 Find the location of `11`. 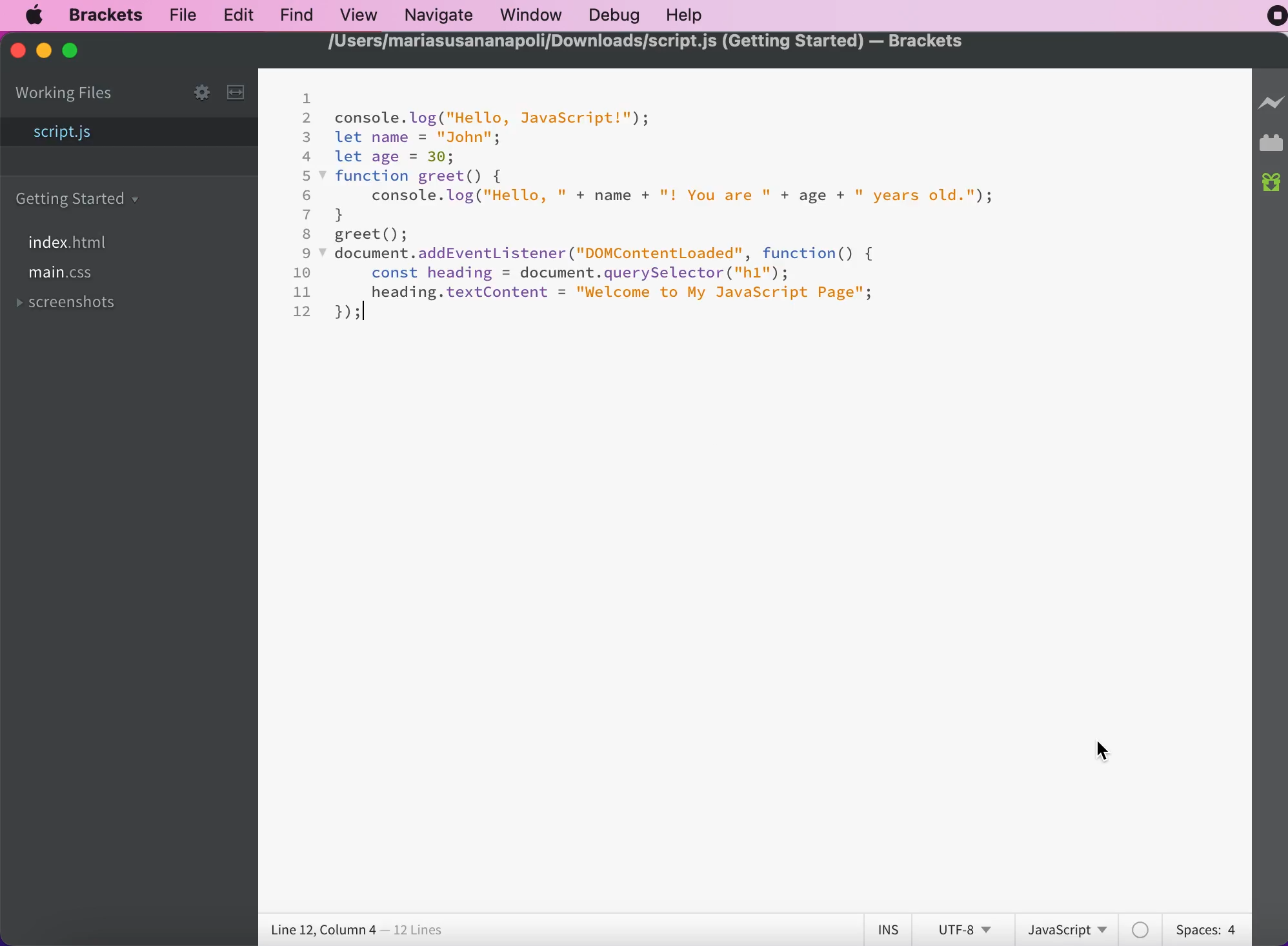

11 is located at coordinates (303, 292).